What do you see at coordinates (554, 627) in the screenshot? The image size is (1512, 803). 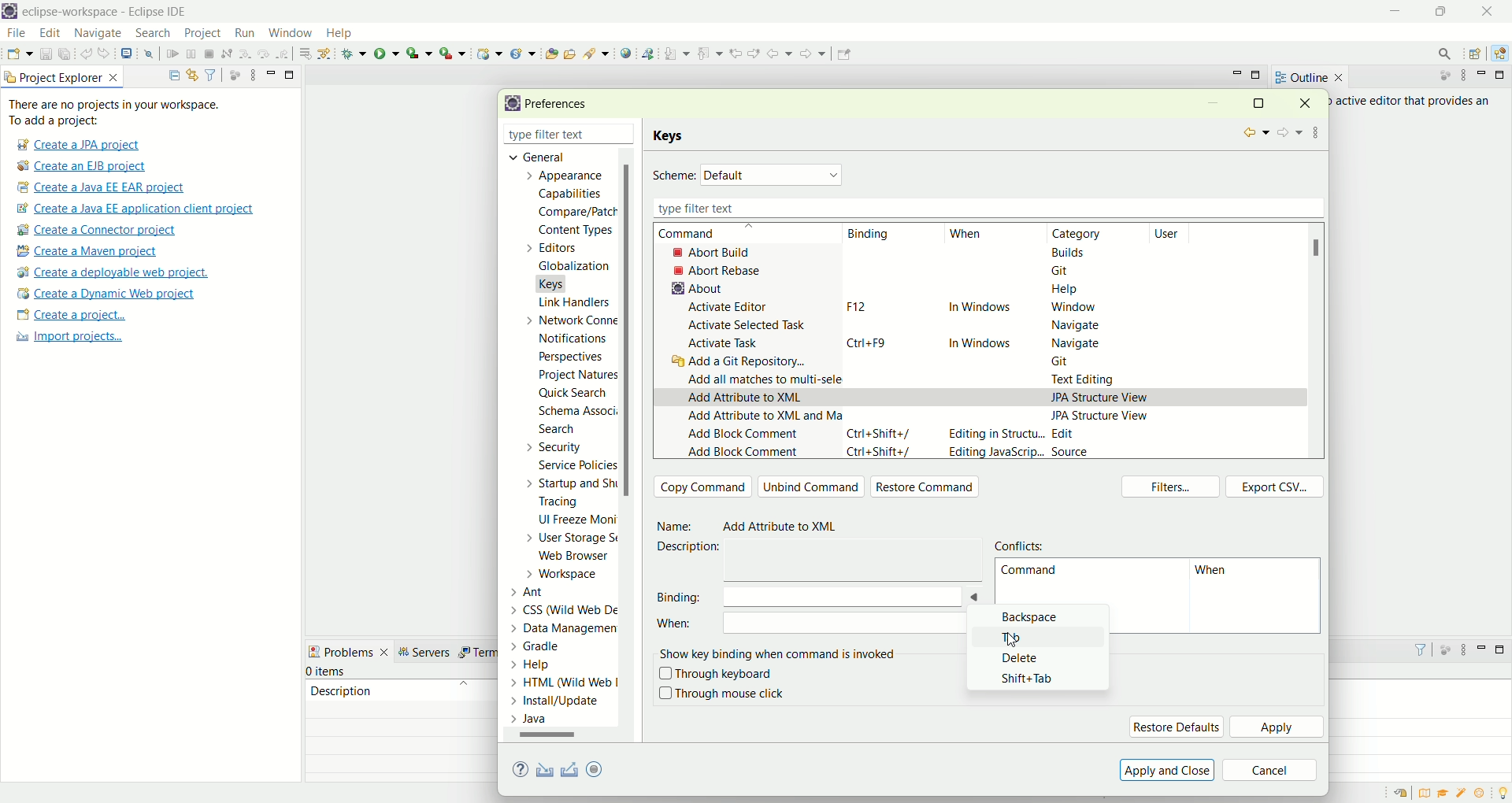 I see ` Data Management` at bounding box center [554, 627].